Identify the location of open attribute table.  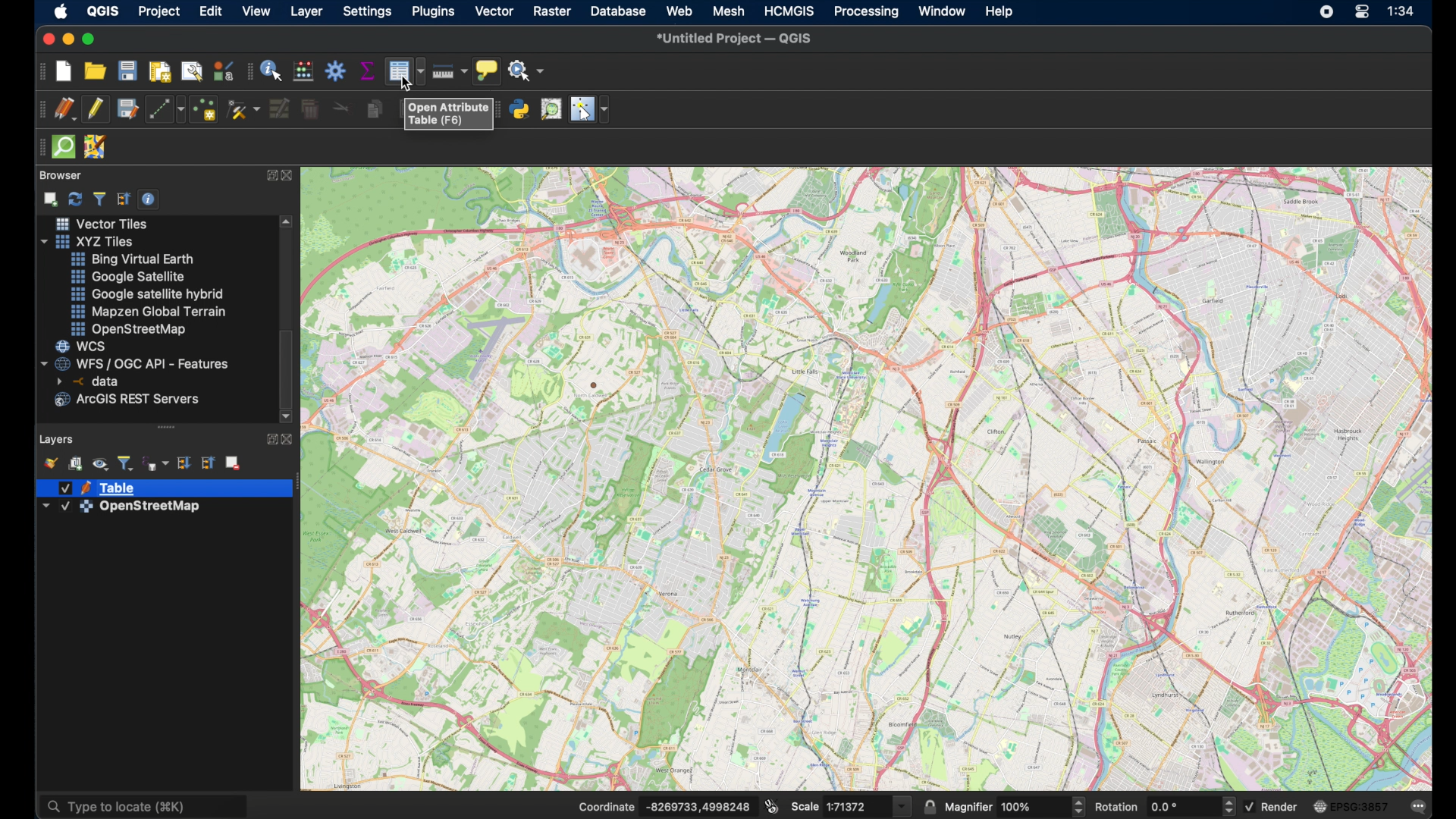
(449, 114).